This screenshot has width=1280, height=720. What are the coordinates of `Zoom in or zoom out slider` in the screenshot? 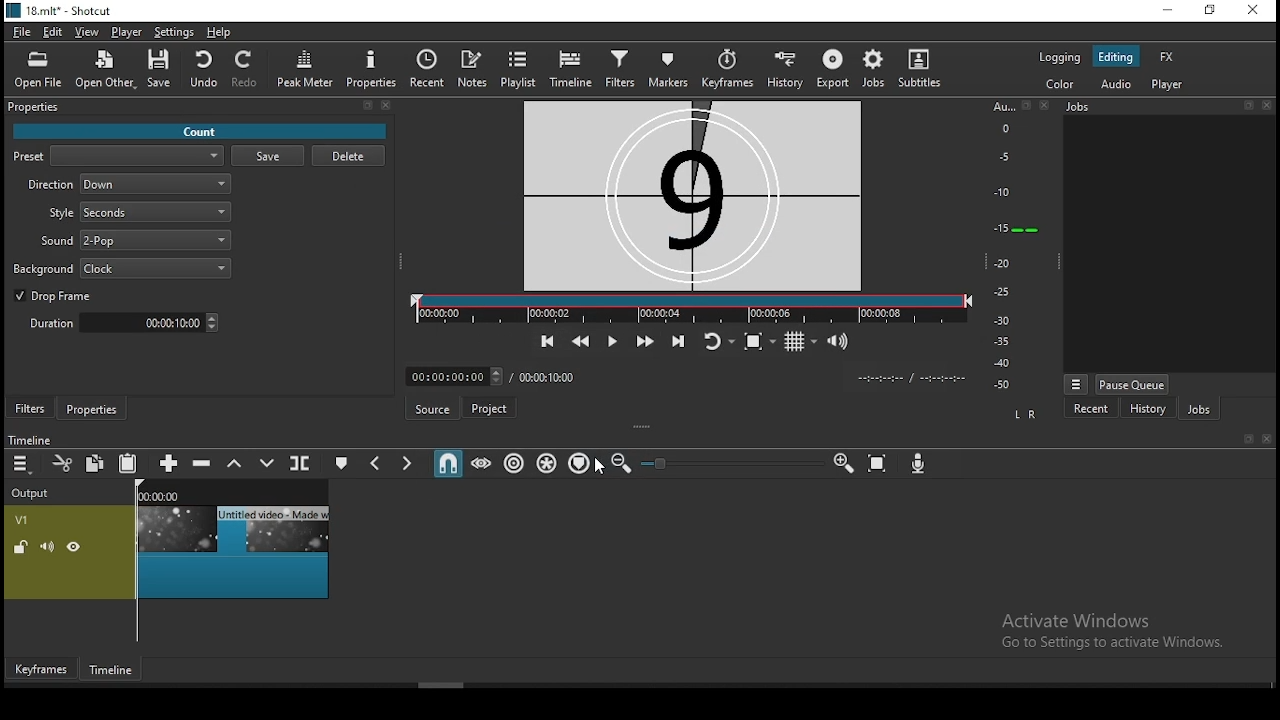 It's located at (731, 463).